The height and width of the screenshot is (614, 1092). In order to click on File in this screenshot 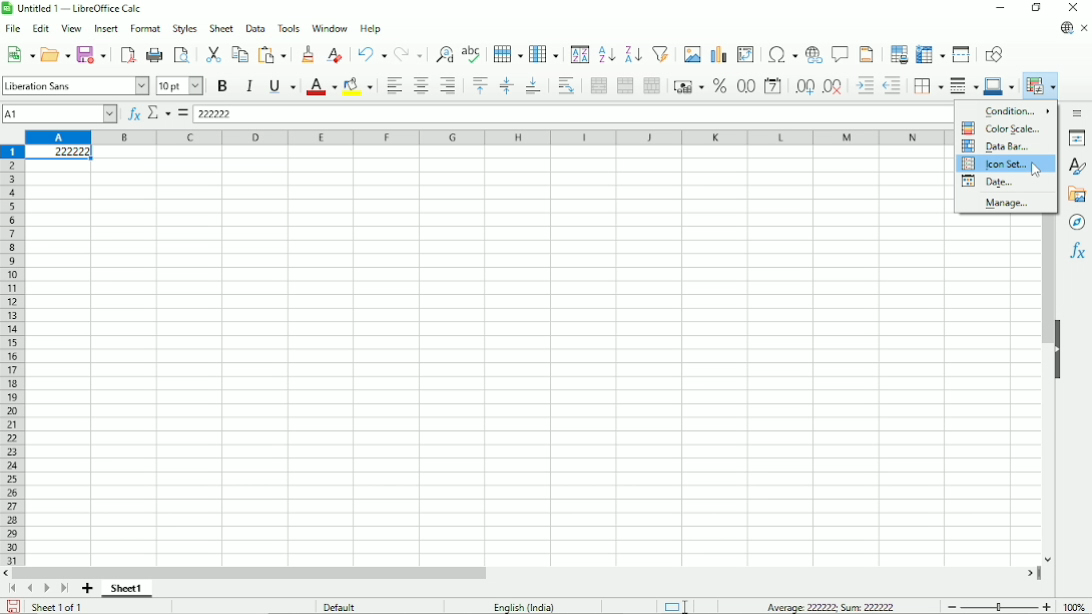, I will do `click(13, 29)`.